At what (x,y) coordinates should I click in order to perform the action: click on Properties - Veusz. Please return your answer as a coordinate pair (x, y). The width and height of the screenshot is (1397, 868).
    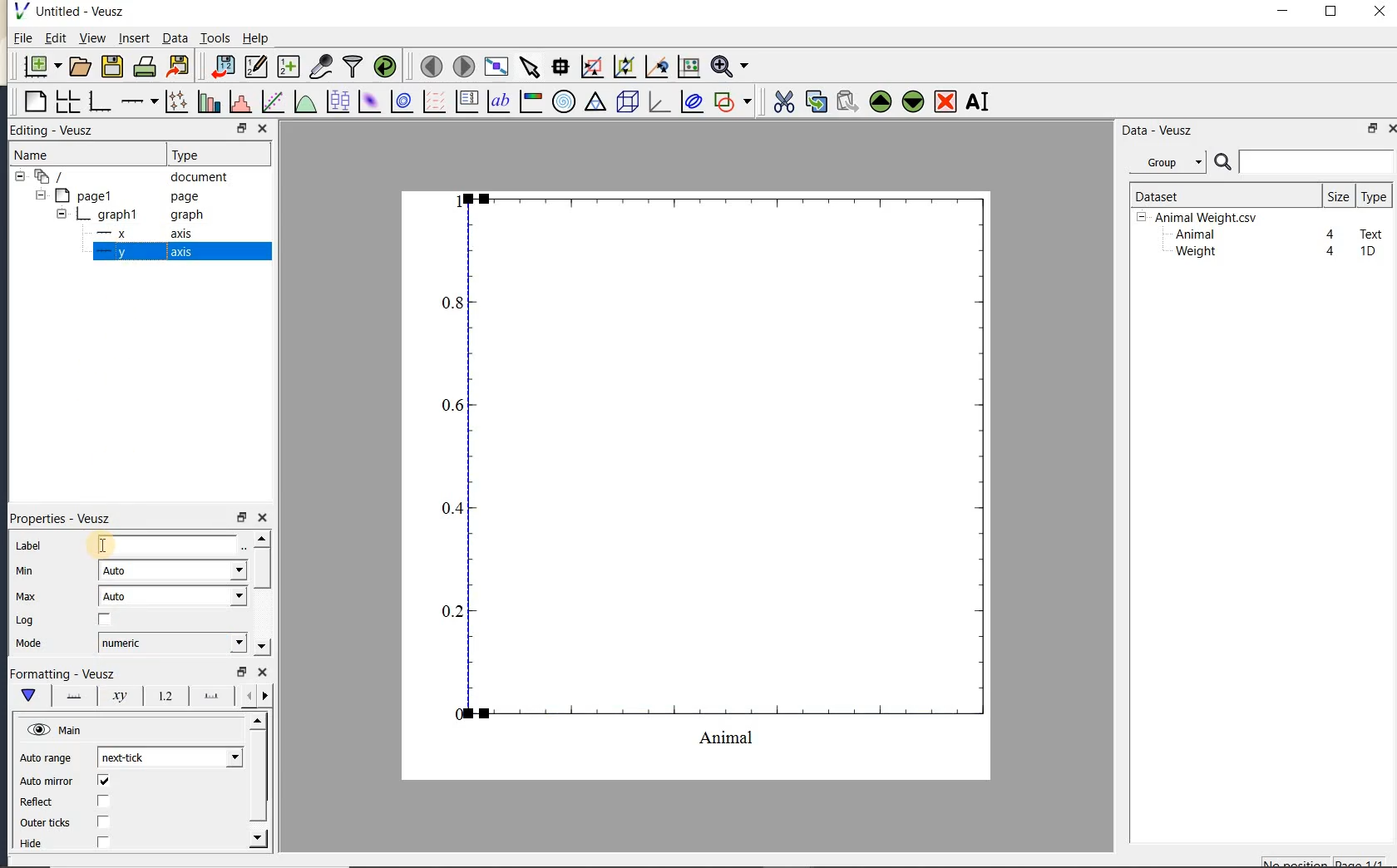
    Looking at the image, I should click on (66, 518).